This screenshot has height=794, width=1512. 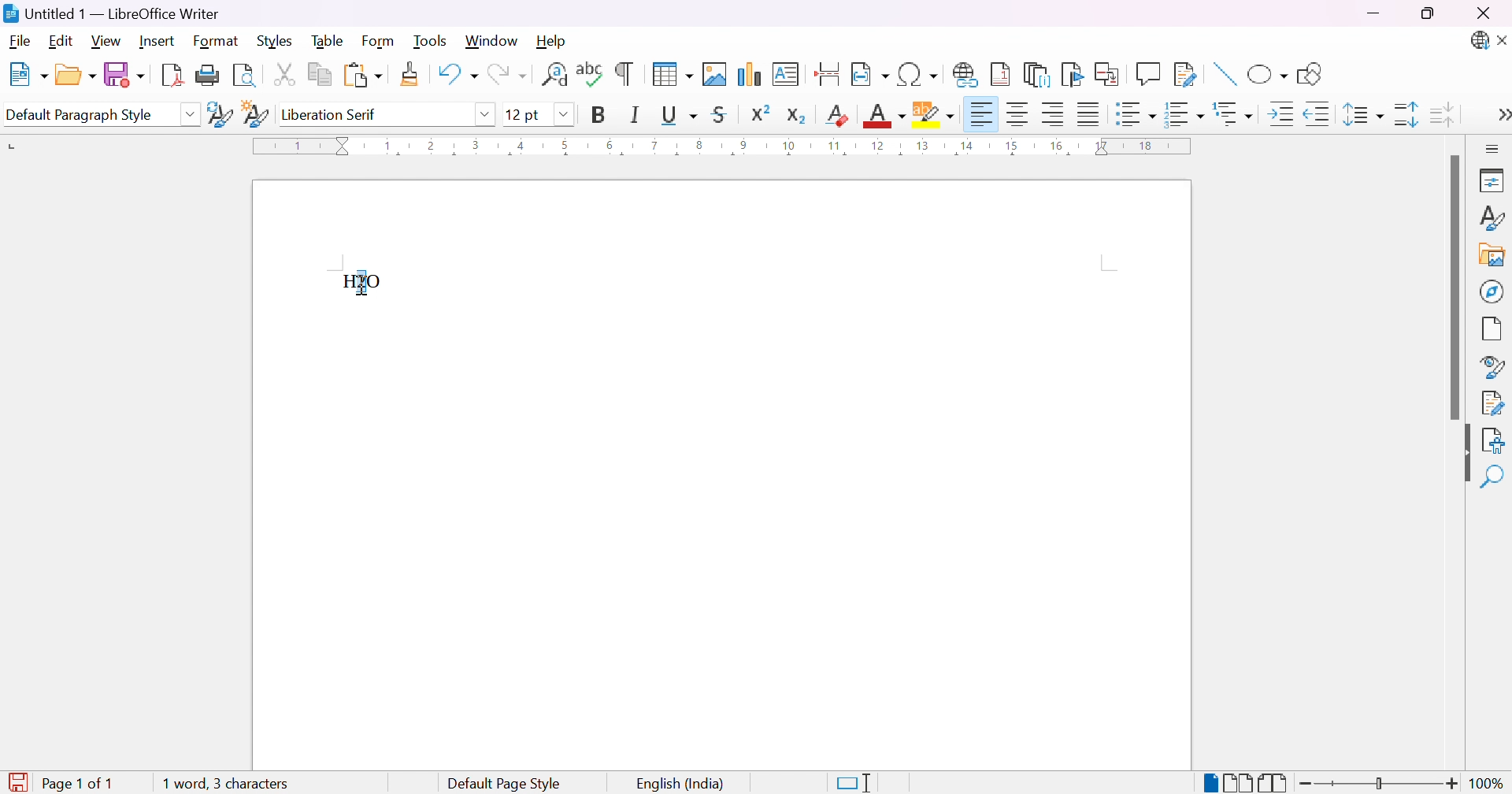 I want to click on Slider, so click(x=1377, y=785).